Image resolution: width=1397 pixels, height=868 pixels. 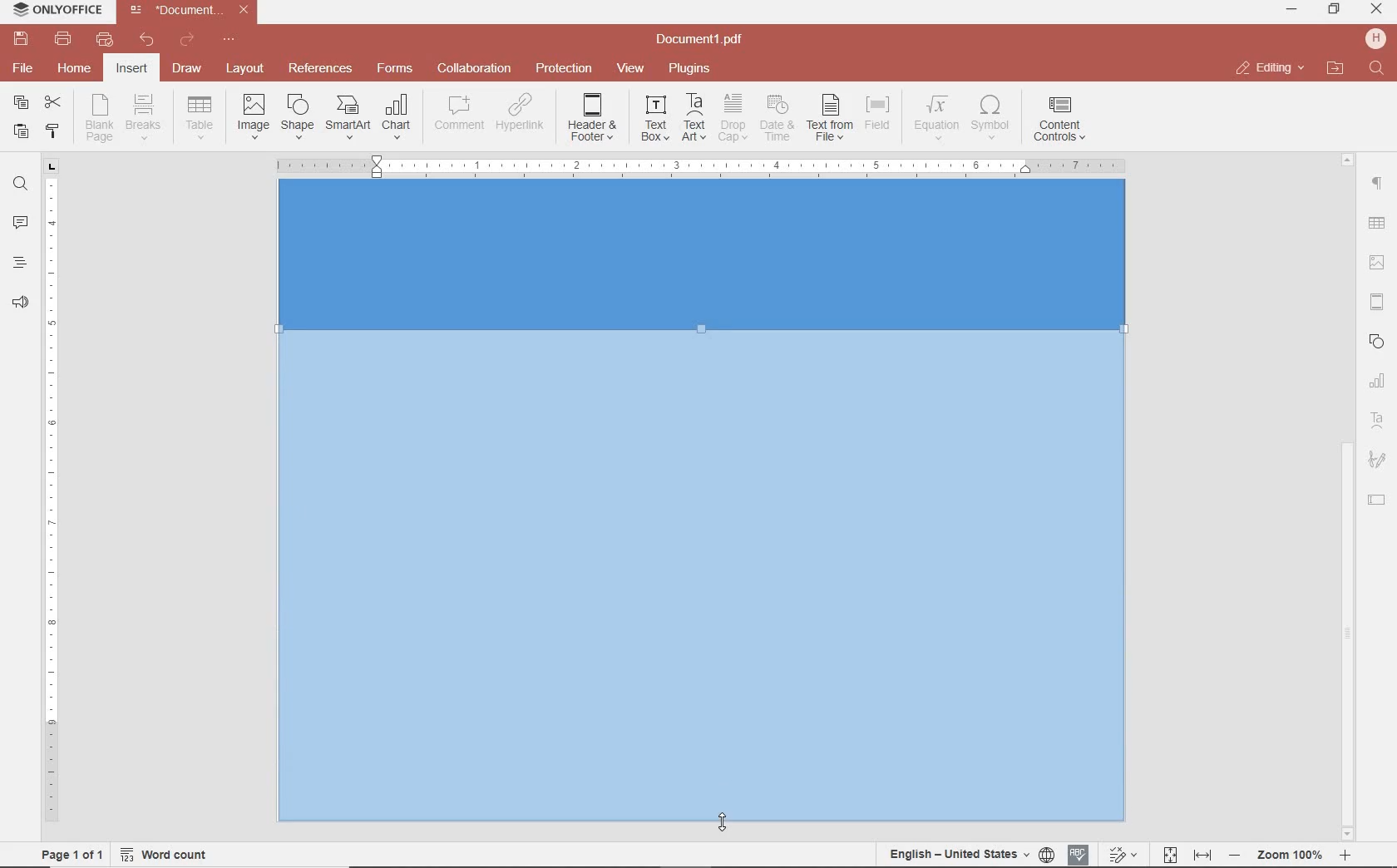 I want to click on , so click(x=1347, y=157).